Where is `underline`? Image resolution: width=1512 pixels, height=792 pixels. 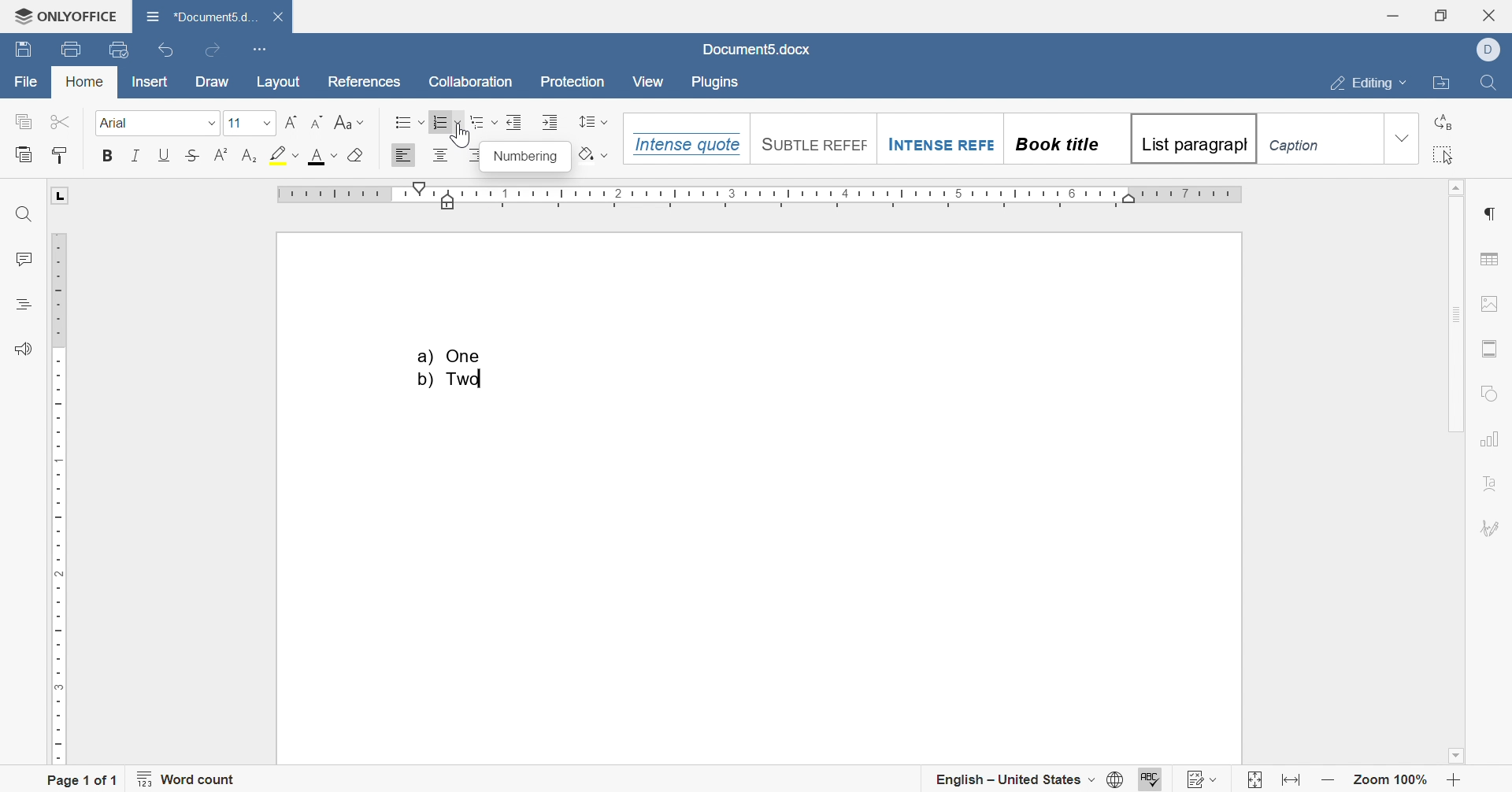
underline is located at coordinates (168, 153).